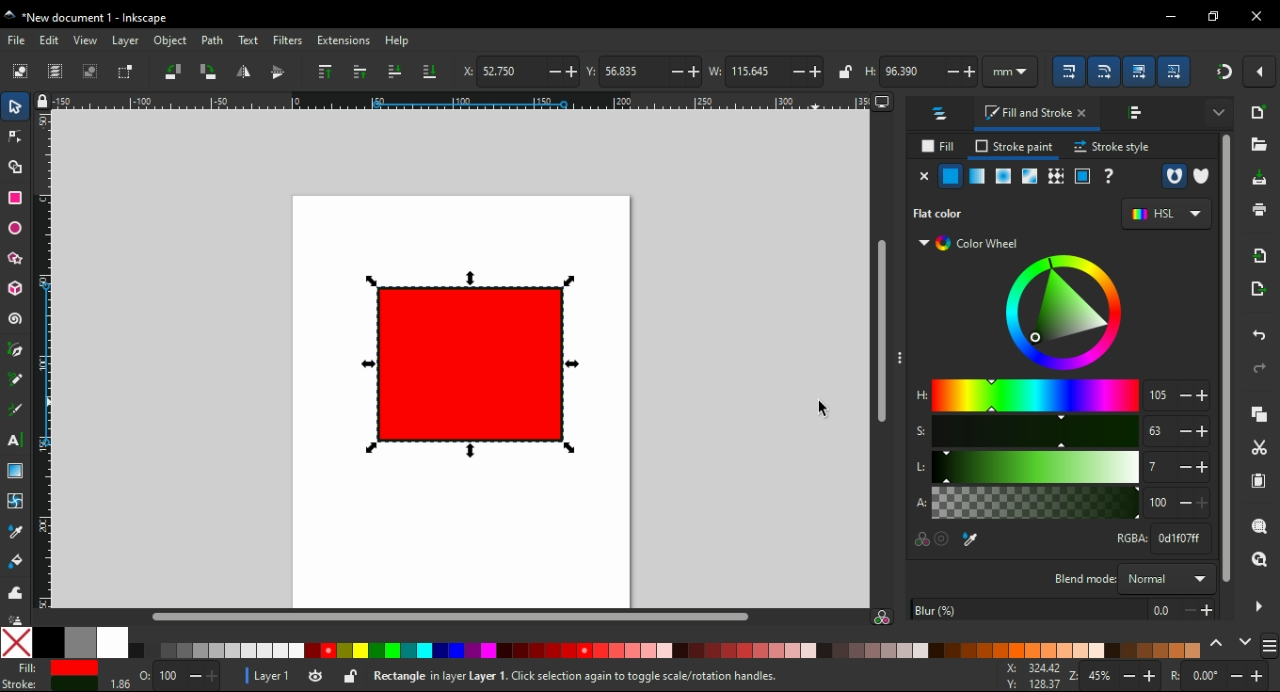 This screenshot has width=1280, height=692. I want to click on scaling options, so click(1068, 69).